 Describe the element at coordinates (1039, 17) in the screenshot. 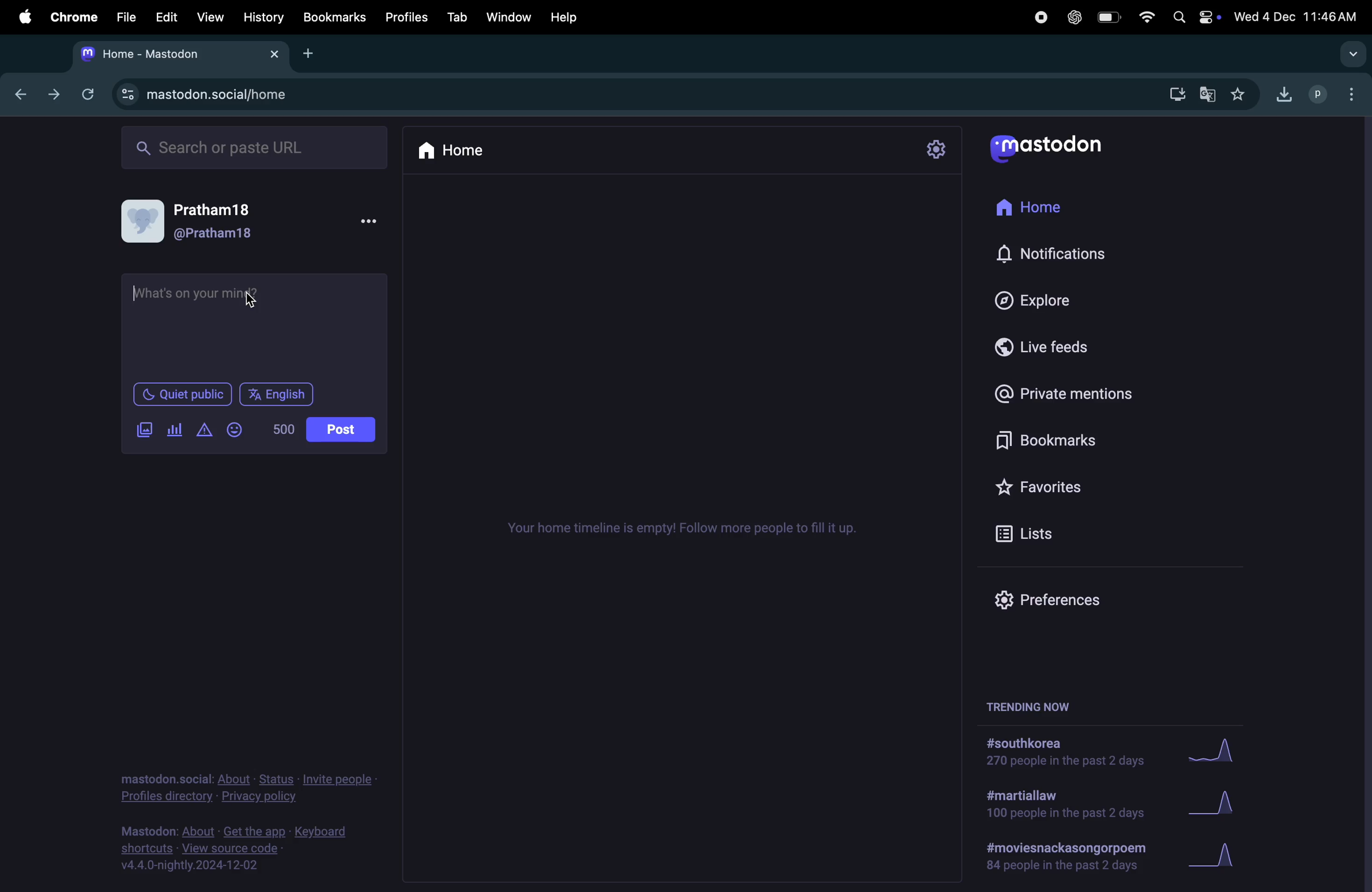

I see `record` at that location.